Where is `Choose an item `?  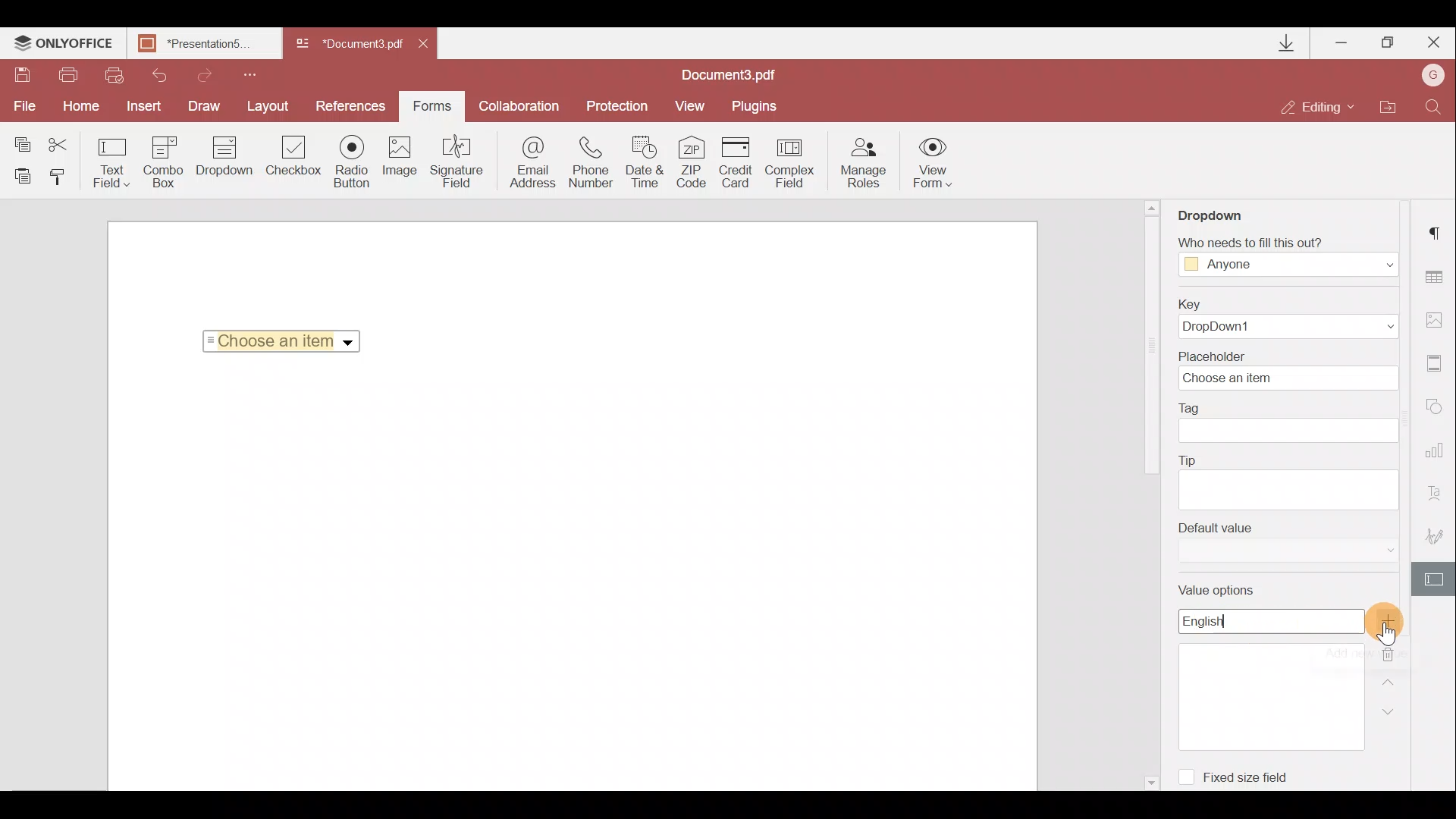 Choose an item  is located at coordinates (287, 338).